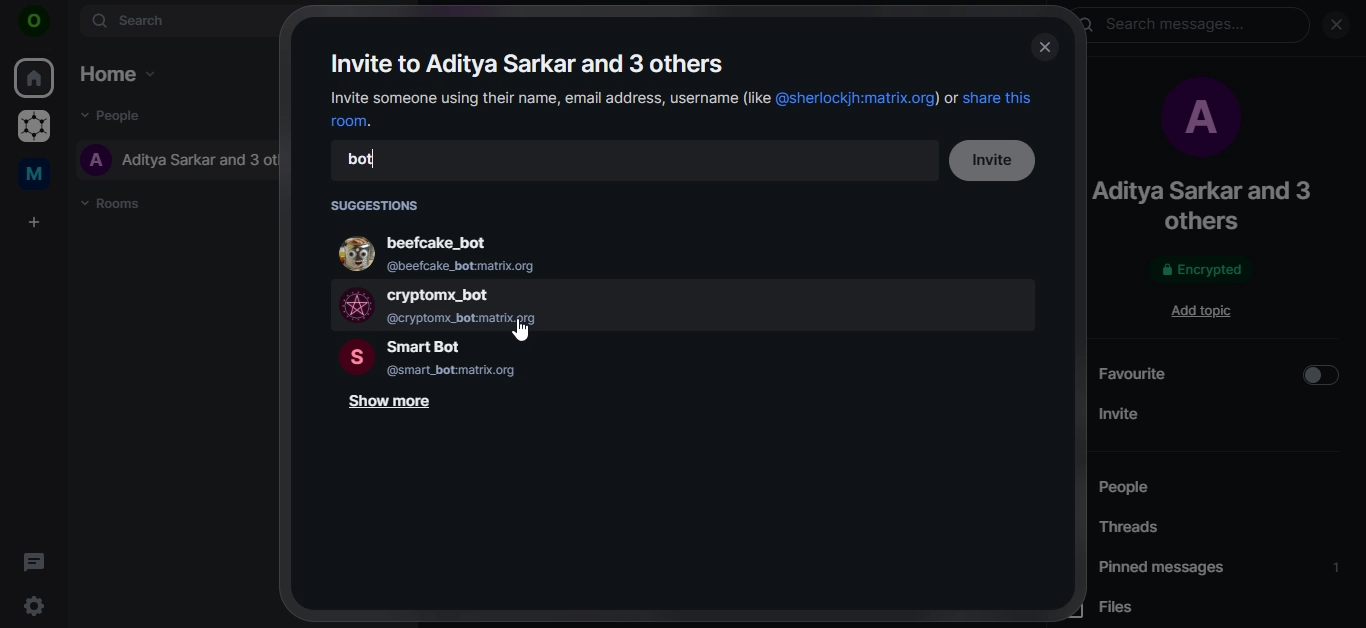 This screenshot has width=1366, height=628. Describe the element at coordinates (115, 202) in the screenshot. I see `rooms` at that location.